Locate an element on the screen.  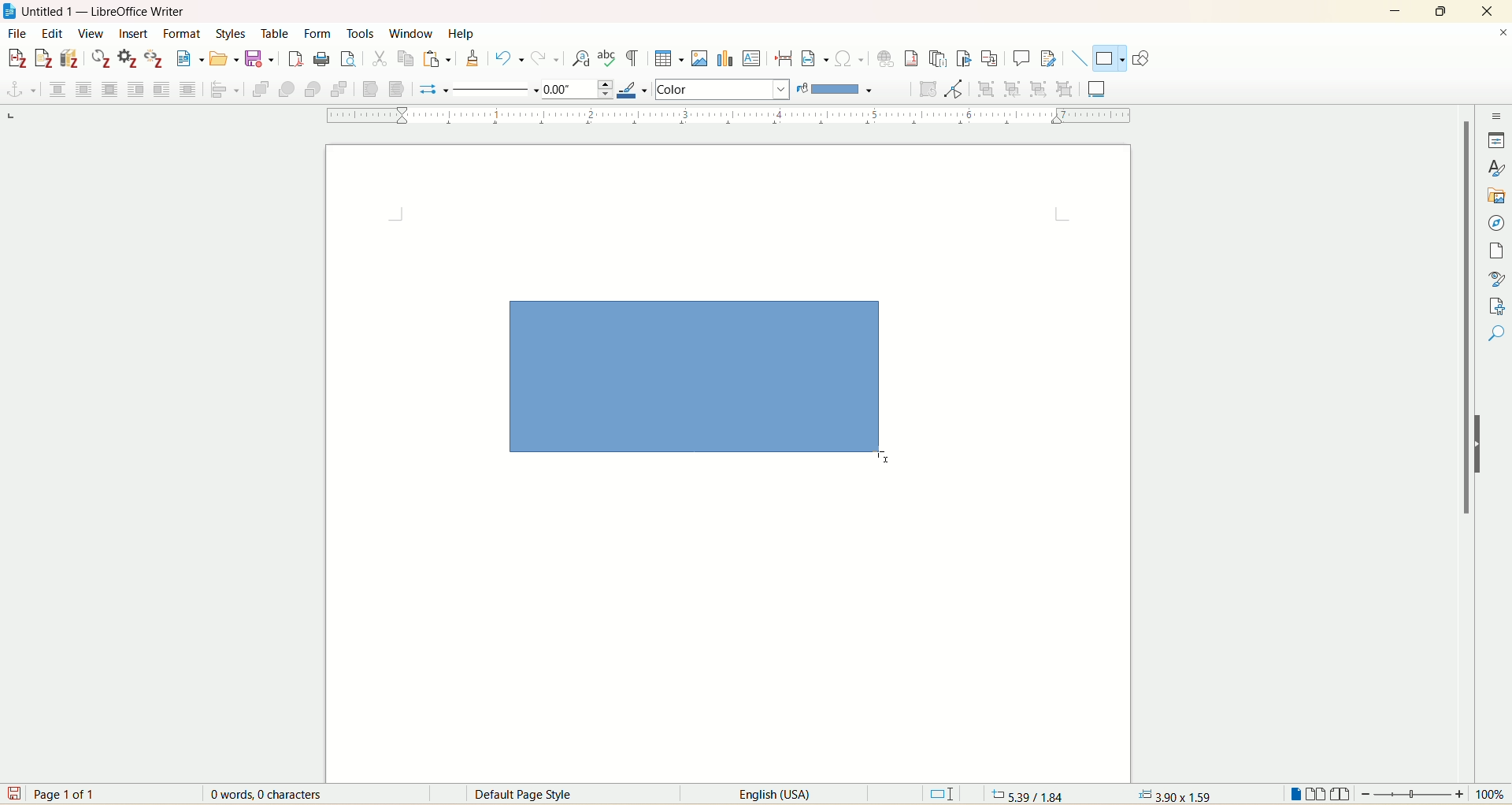
toggle point edit mode is located at coordinates (957, 91).